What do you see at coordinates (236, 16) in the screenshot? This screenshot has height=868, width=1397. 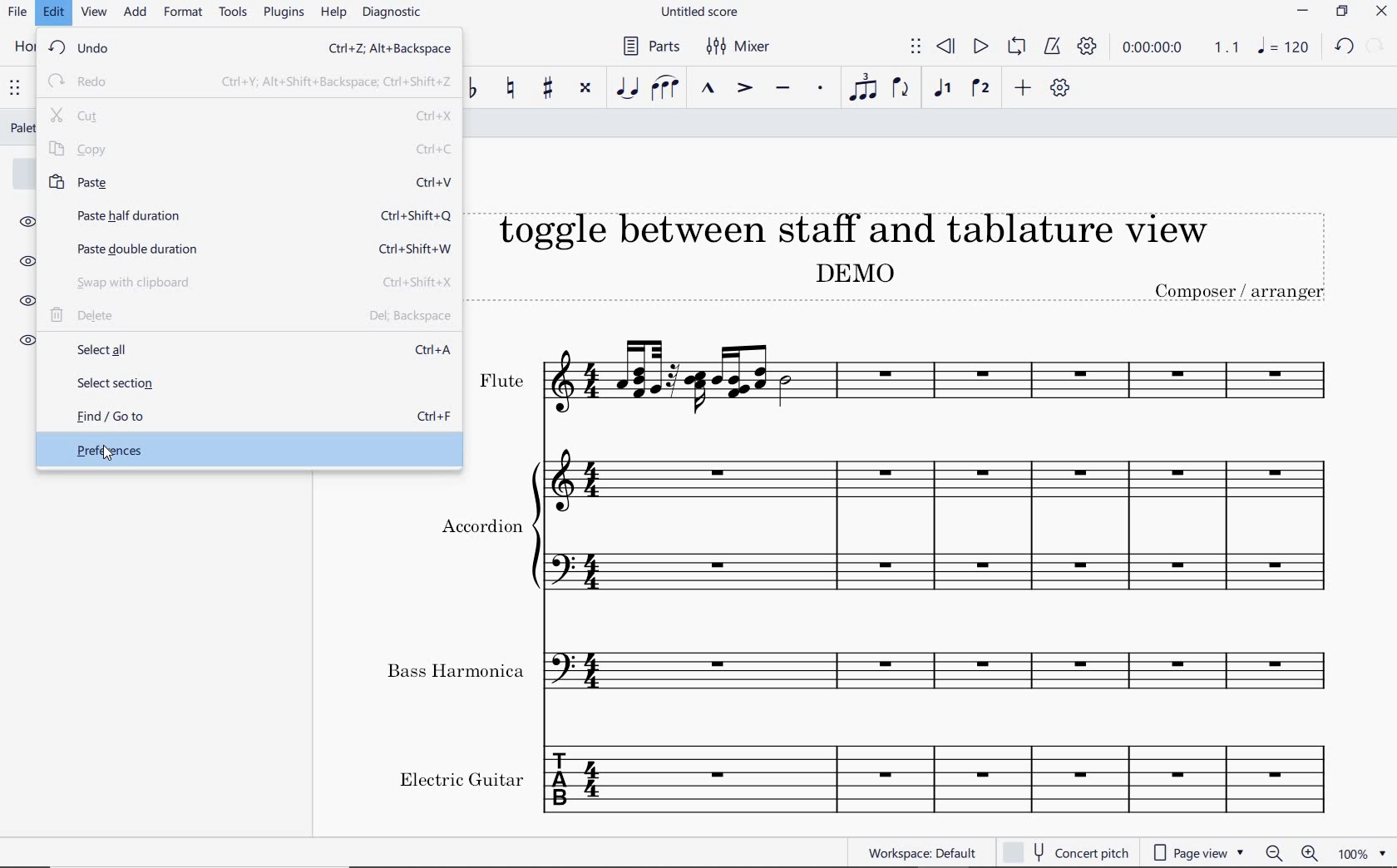 I see `tools` at bounding box center [236, 16].